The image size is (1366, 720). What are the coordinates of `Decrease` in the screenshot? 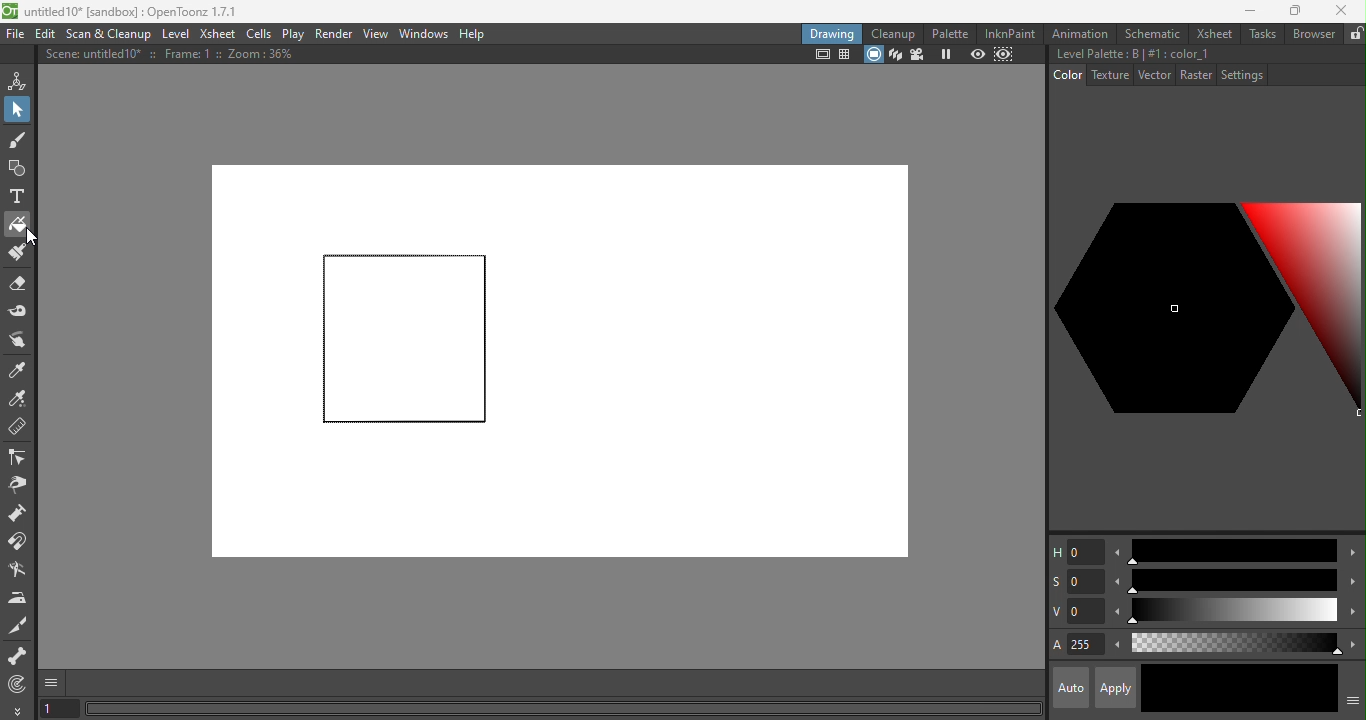 It's located at (1116, 613).